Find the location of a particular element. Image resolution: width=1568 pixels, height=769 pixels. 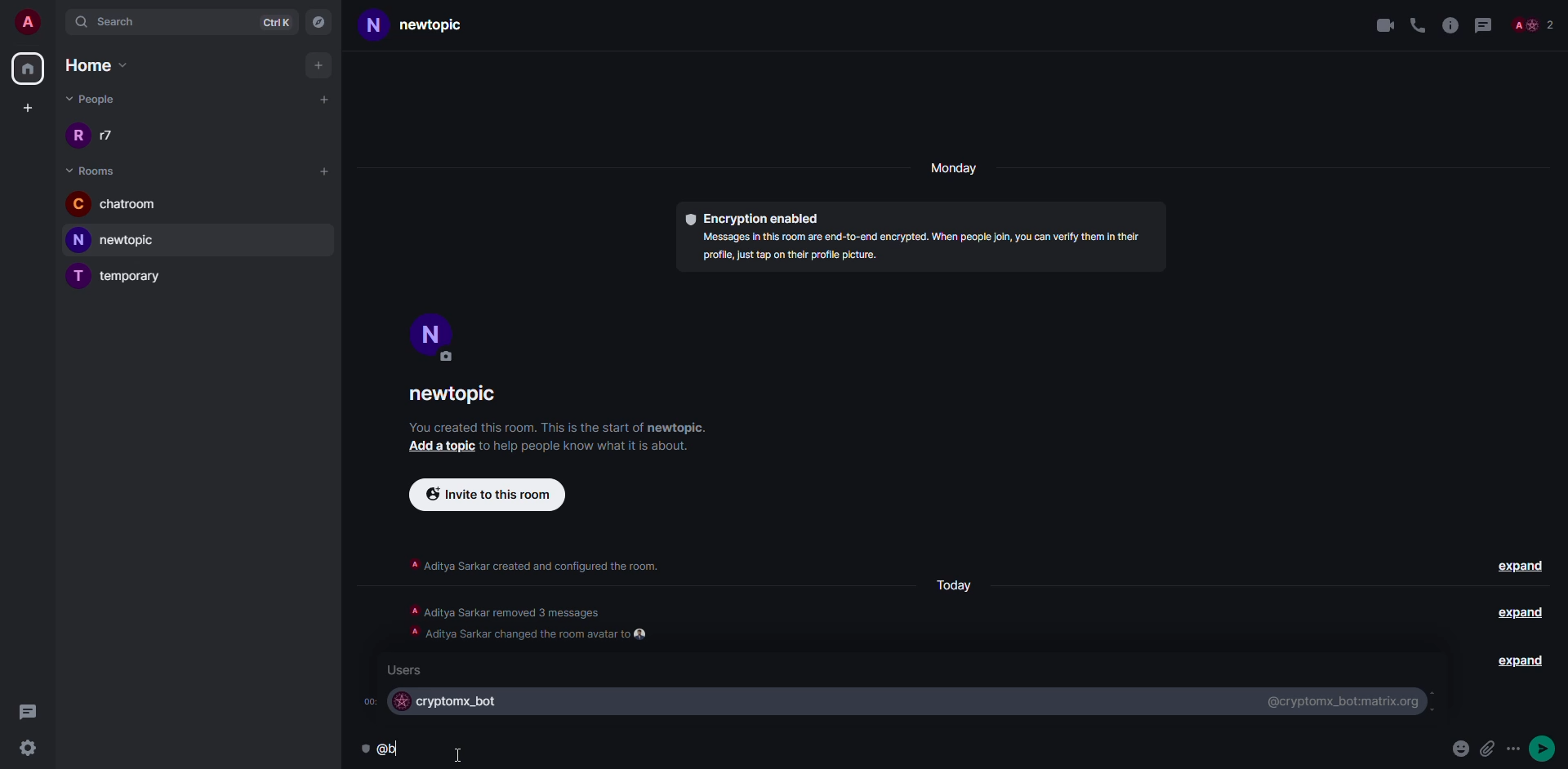

account is located at coordinates (29, 20).